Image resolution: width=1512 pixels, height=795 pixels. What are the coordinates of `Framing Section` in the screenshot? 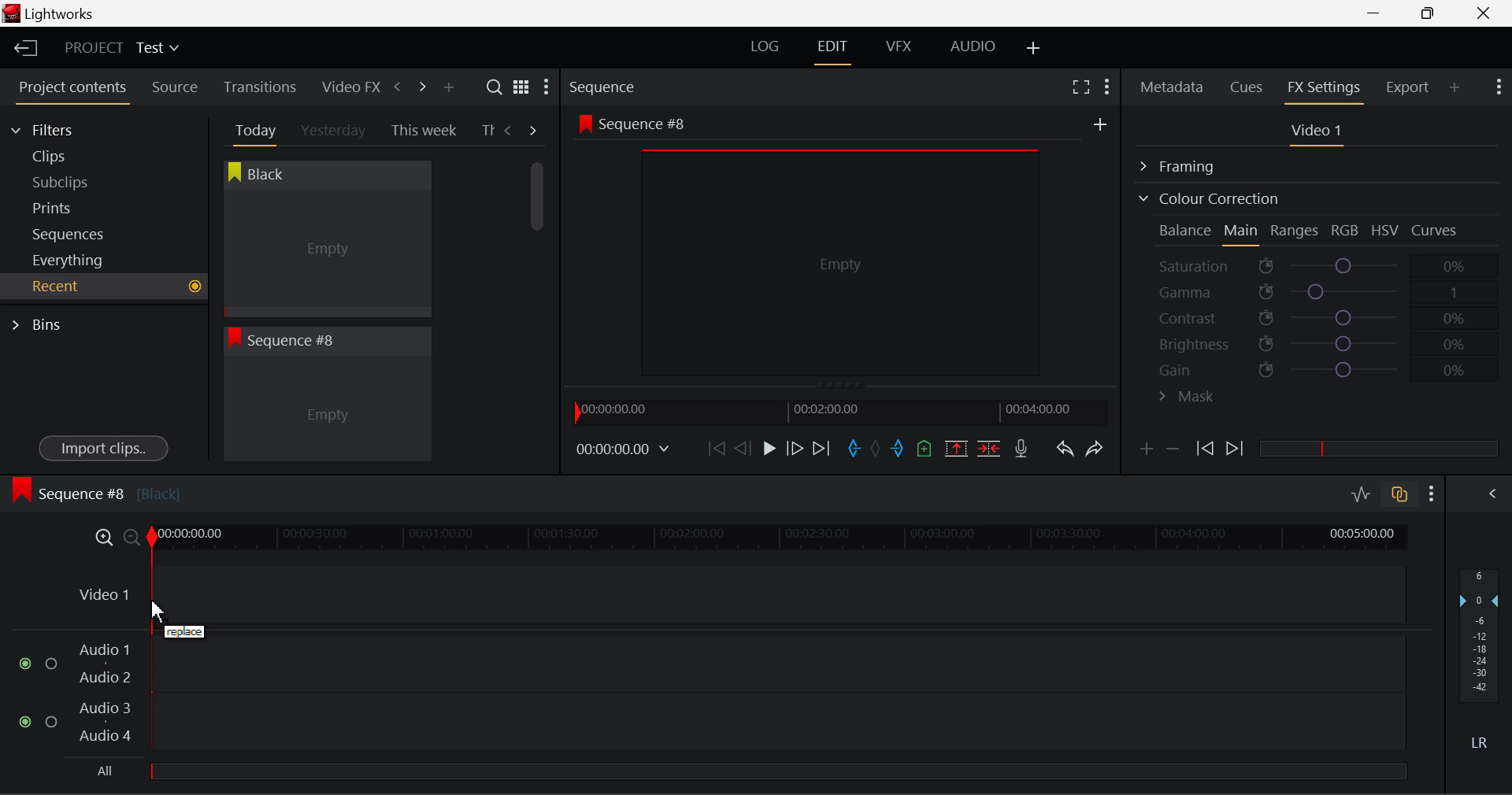 It's located at (1190, 164).